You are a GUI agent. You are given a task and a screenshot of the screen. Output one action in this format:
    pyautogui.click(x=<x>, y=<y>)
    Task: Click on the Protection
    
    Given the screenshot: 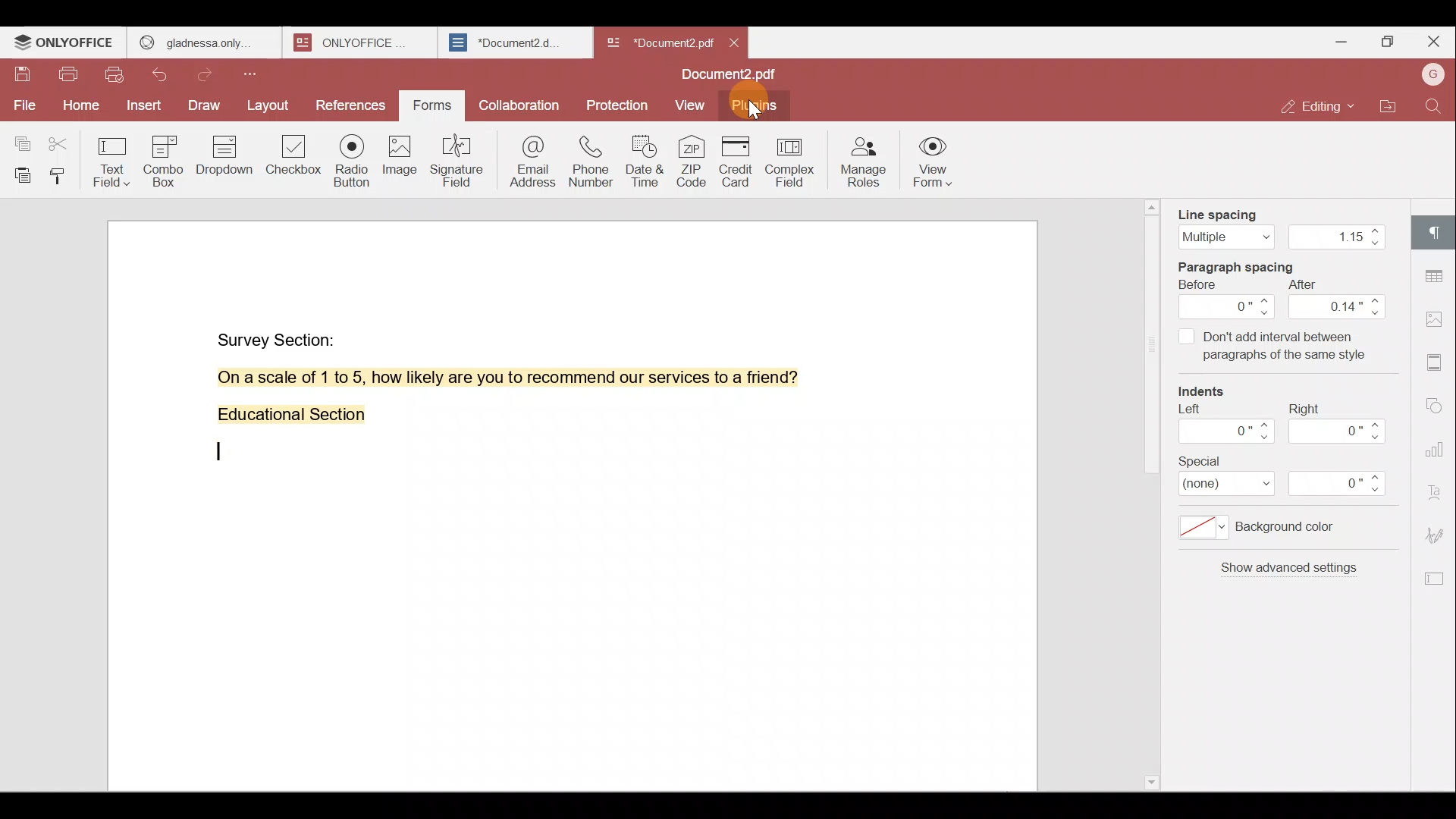 What is the action you would take?
    pyautogui.click(x=620, y=101)
    